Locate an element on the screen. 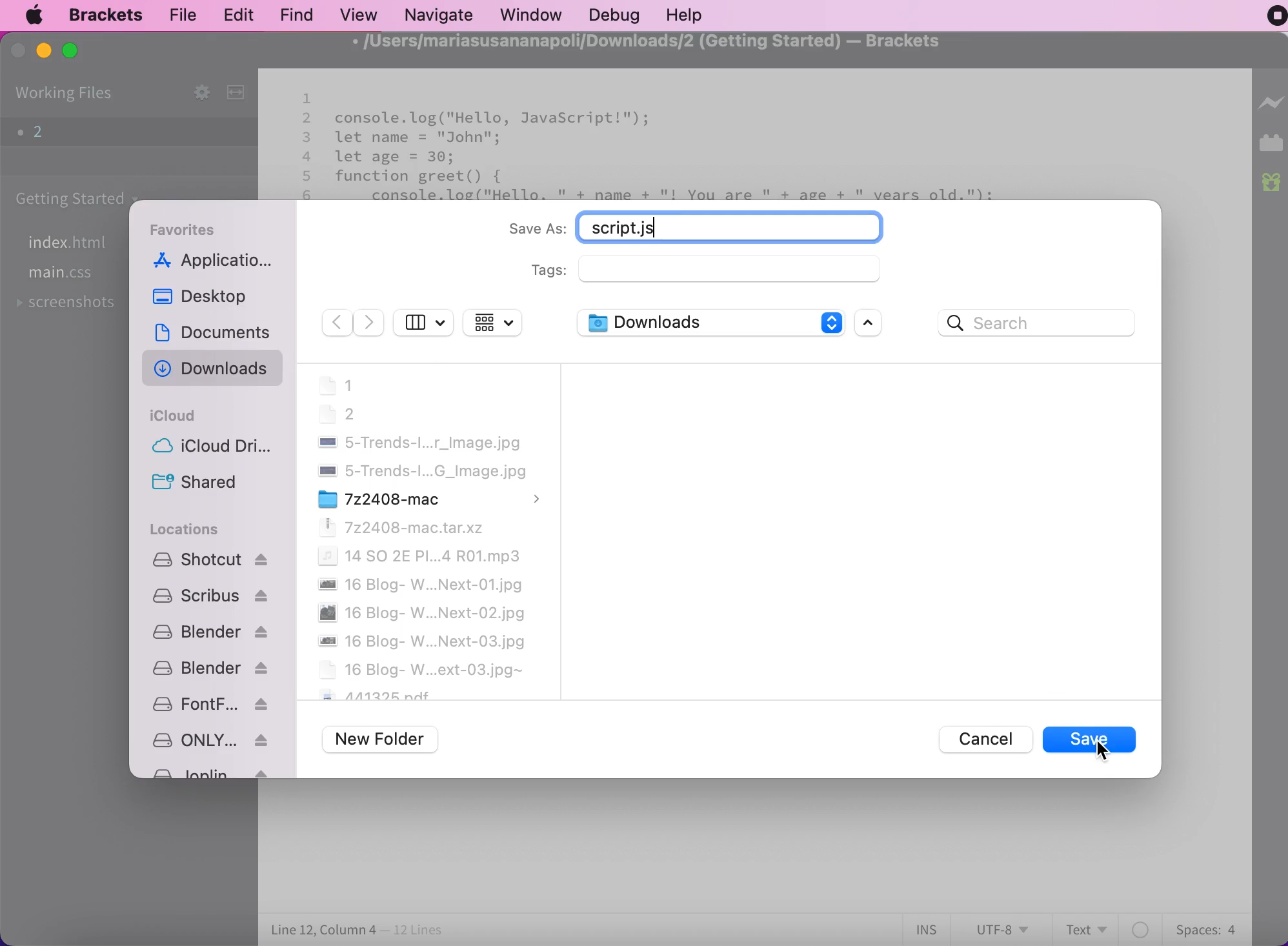  shared is located at coordinates (209, 484).